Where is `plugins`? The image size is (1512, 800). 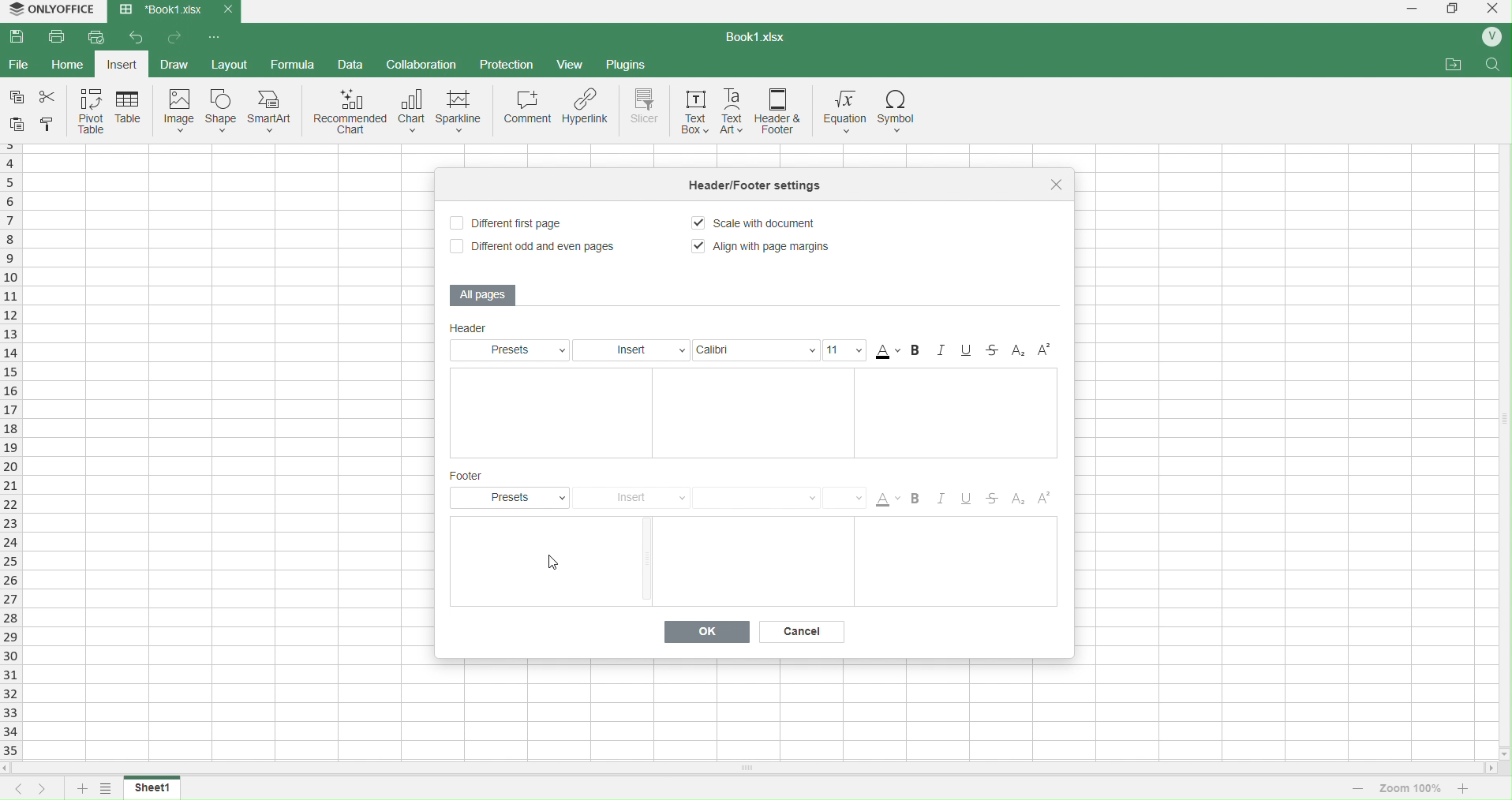
plugins is located at coordinates (631, 65).